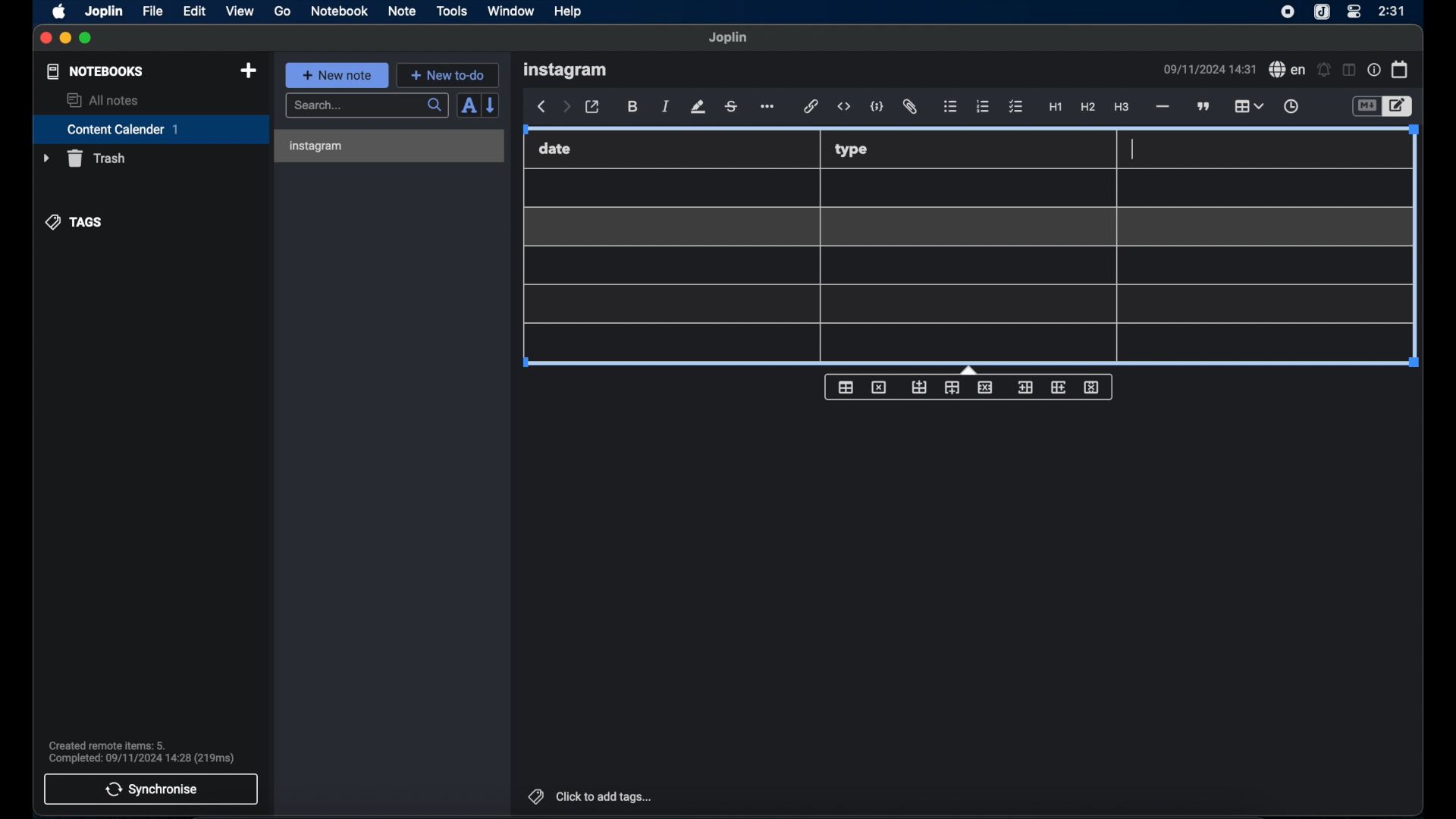 This screenshot has width=1456, height=819. What do you see at coordinates (145, 750) in the screenshot?
I see `Created remote items: 5.
Completed: 09/11/2024 14:28 (219ms)` at bounding box center [145, 750].